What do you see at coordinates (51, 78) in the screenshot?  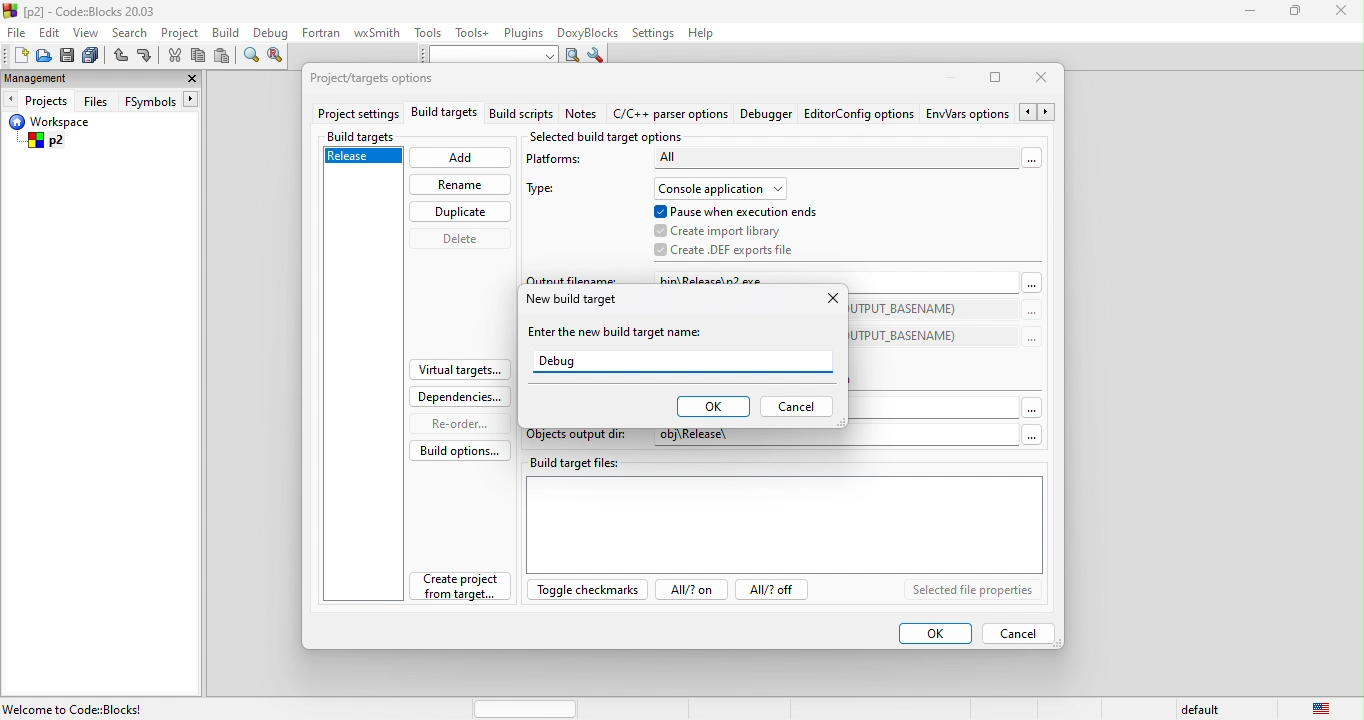 I see `management` at bounding box center [51, 78].